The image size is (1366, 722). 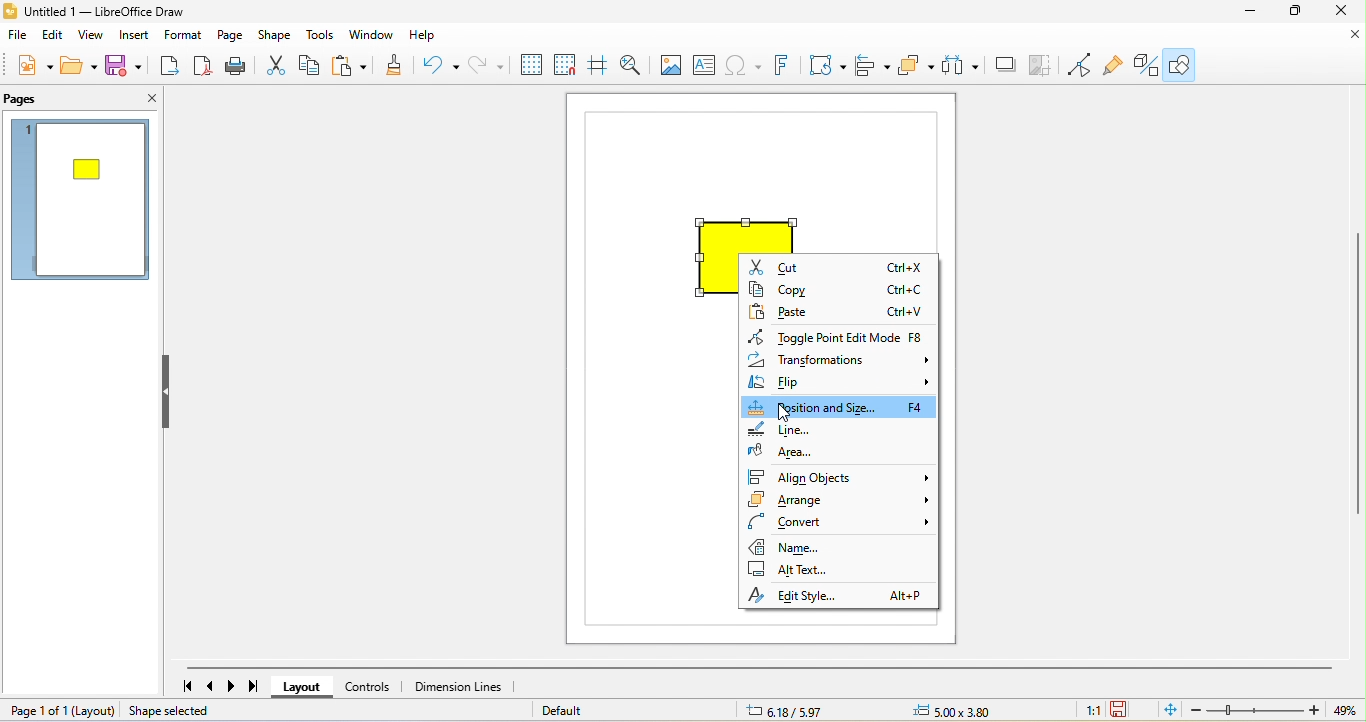 I want to click on 0.00 x0.00, so click(x=969, y=709).